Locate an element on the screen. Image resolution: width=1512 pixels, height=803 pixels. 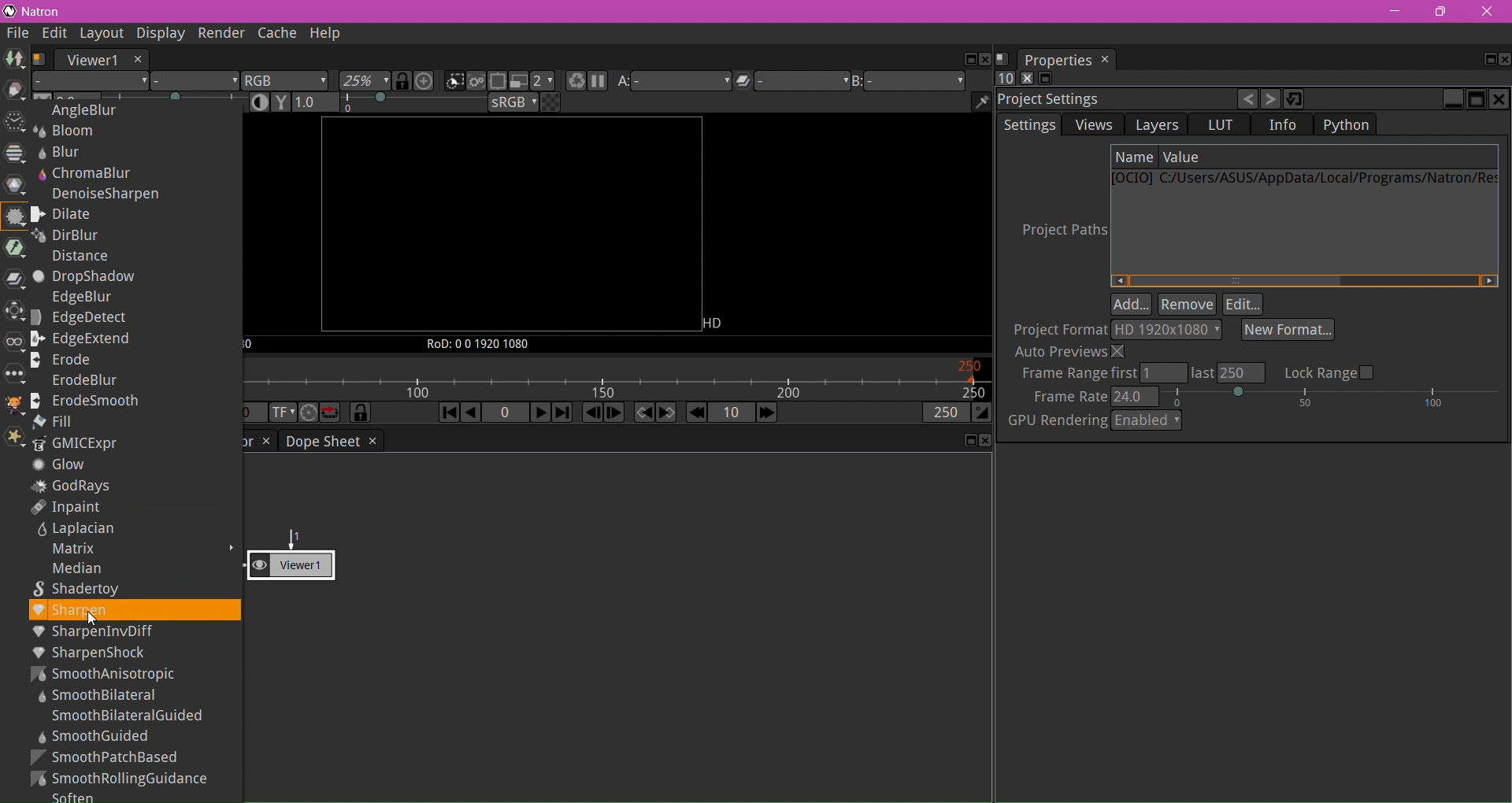
Layers is located at coordinates (1157, 126).